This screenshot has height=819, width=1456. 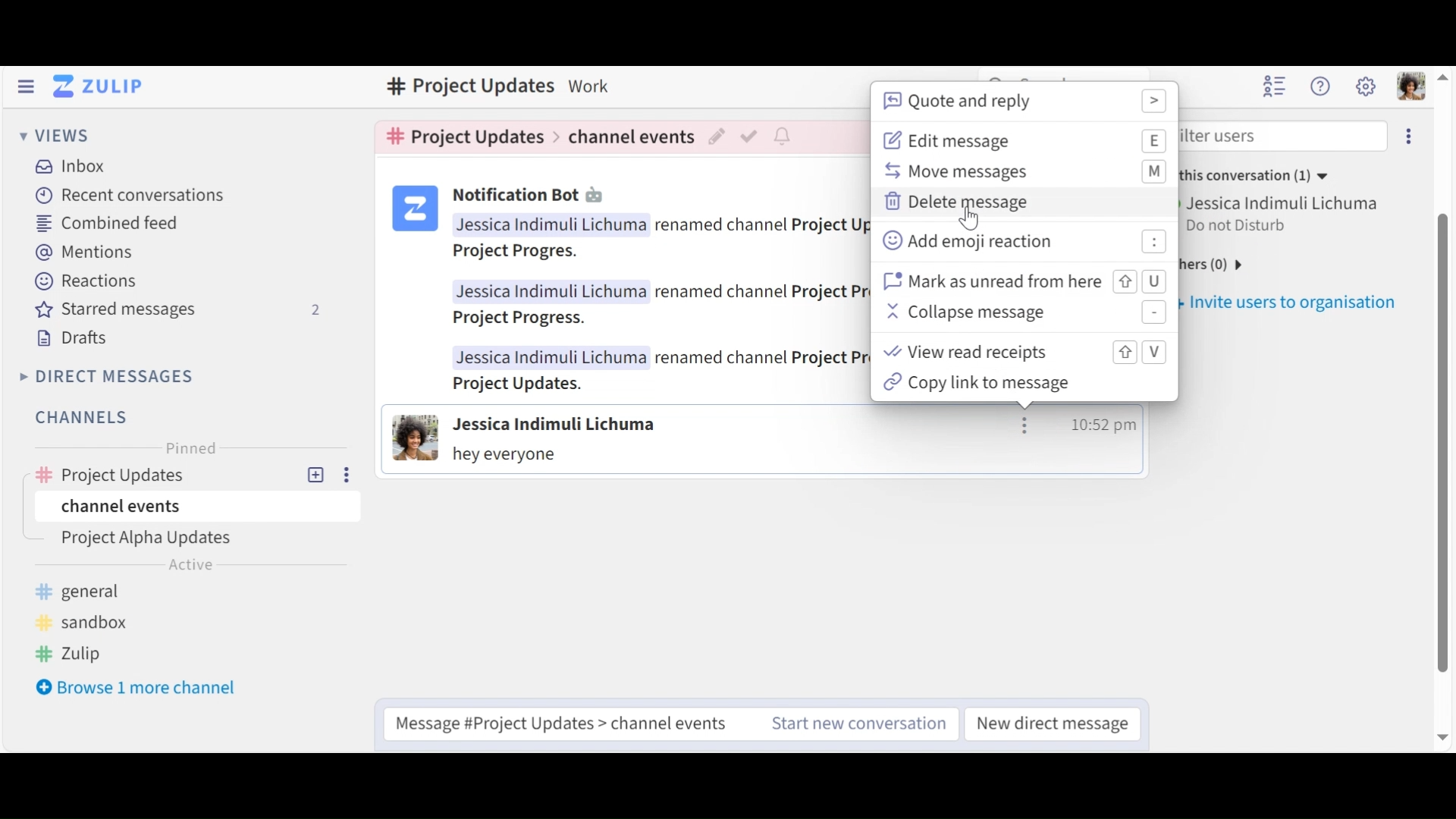 I want to click on Mentions, so click(x=88, y=252).